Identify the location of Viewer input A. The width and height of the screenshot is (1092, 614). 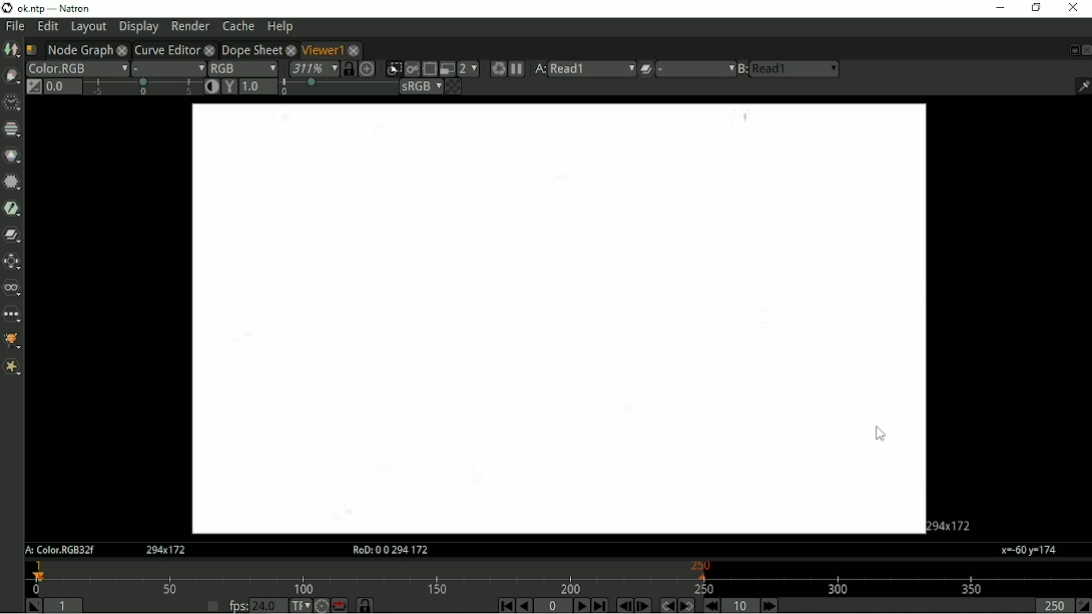
(536, 69).